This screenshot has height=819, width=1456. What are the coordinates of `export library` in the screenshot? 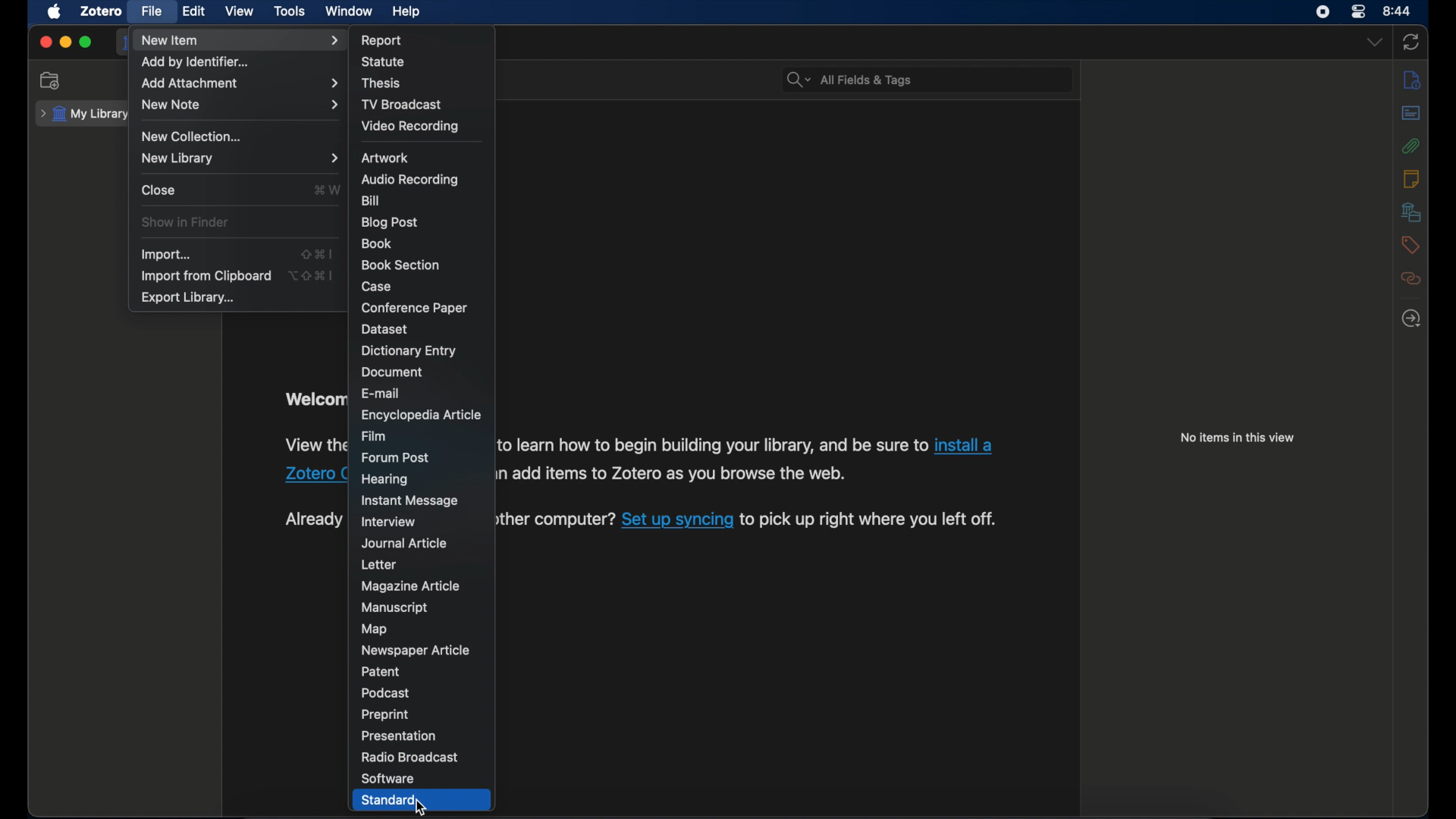 It's located at (188, 298).